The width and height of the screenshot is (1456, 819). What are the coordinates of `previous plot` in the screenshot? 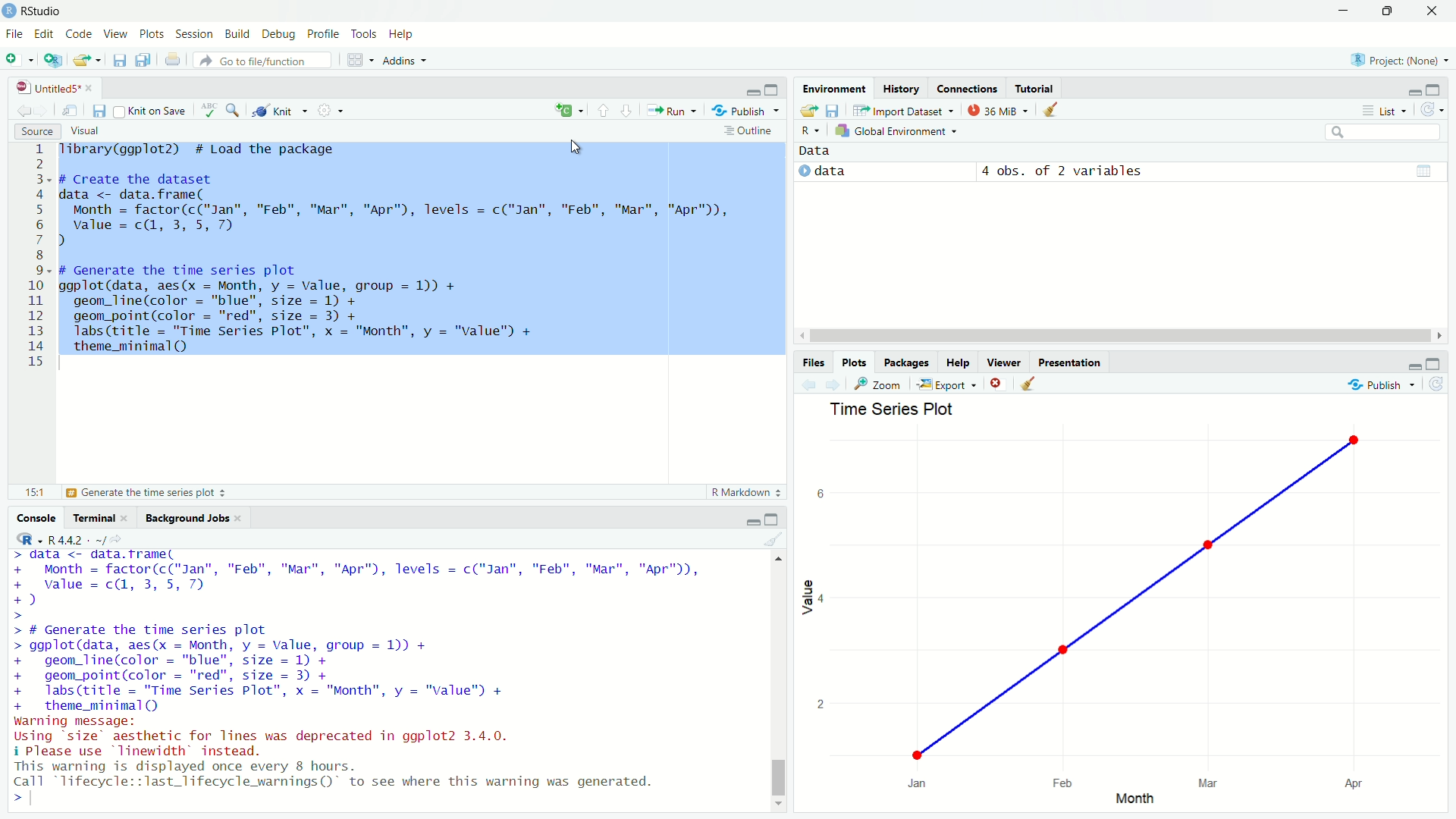 It's located at (805, 384).